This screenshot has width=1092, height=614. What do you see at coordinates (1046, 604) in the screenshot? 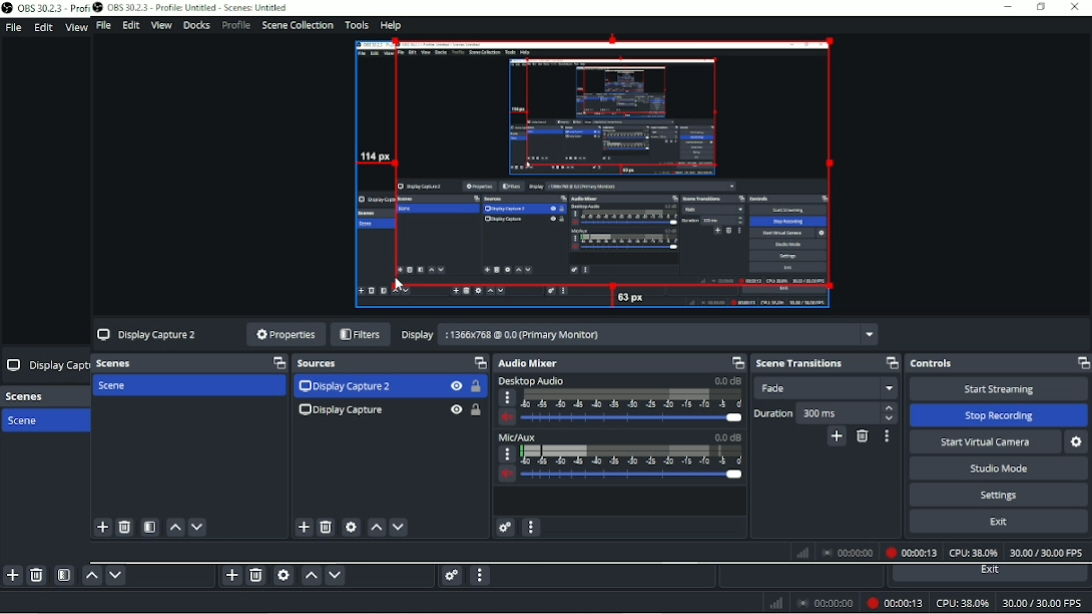
I see `30.00/30.00 FPS` at bounding box center [1046, 604].